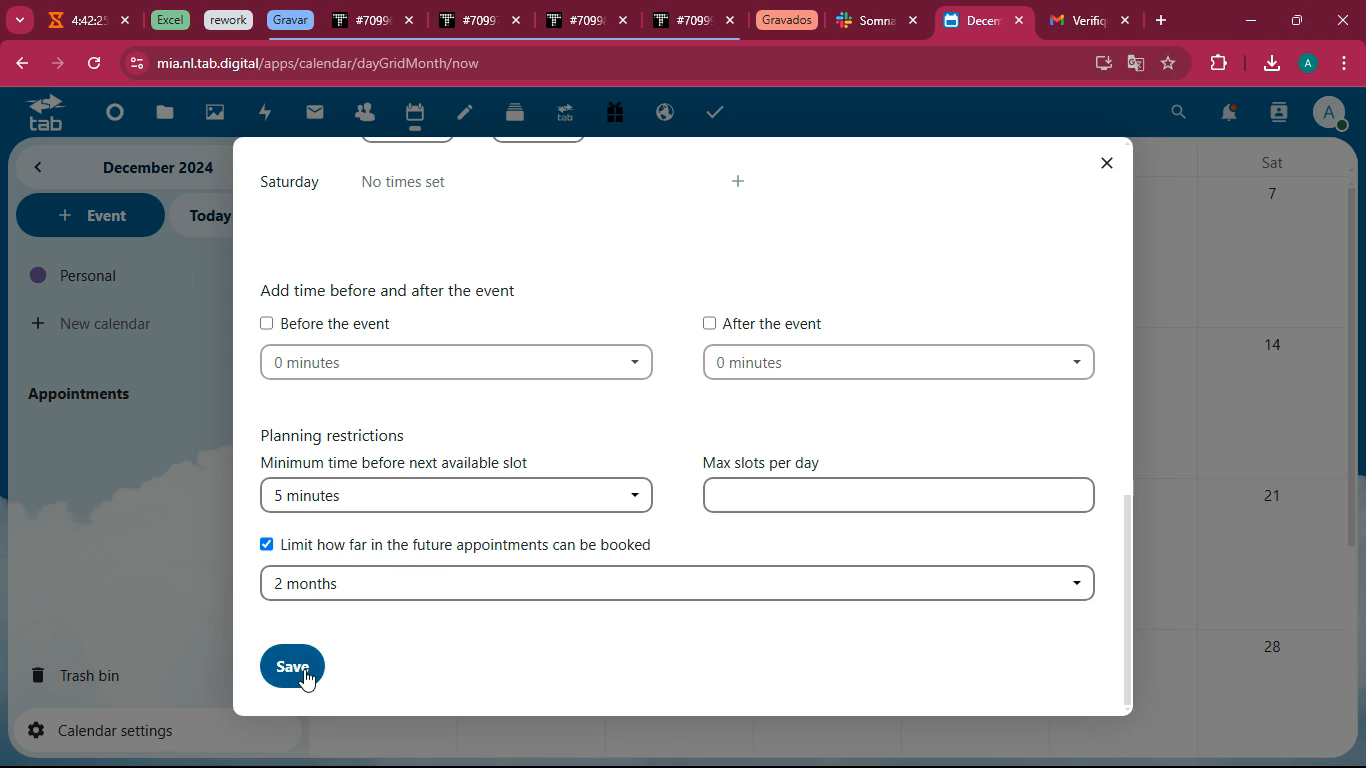  What do you see at coordinates (1227, 116) in the screenshot?
I see `notifications` at bounding box center [1227, 116].